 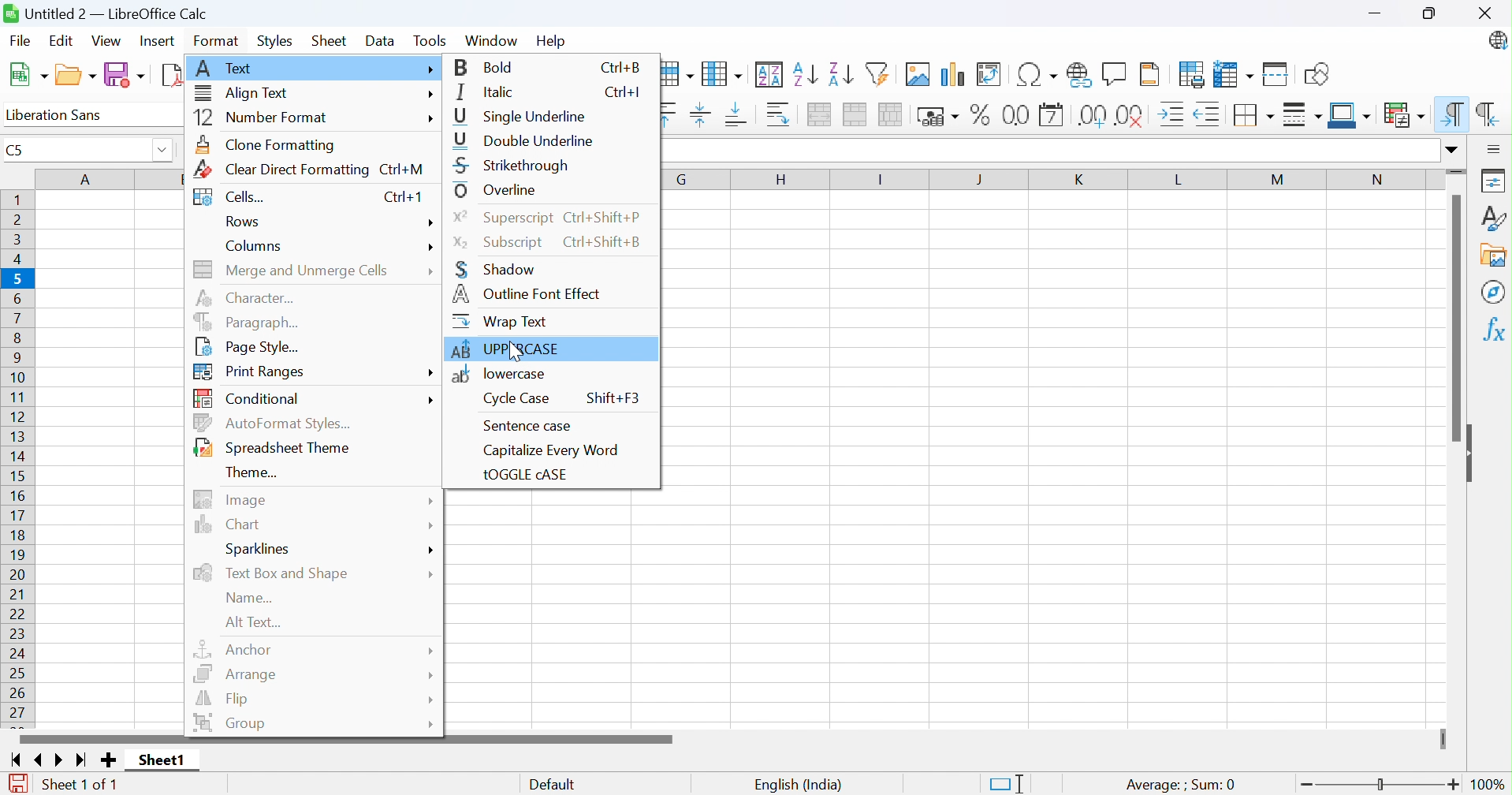 What do you see at coordinates (44, 761) in the screenshot?
I see `Scroll to previous sheet` at bounding box center [44, 761].